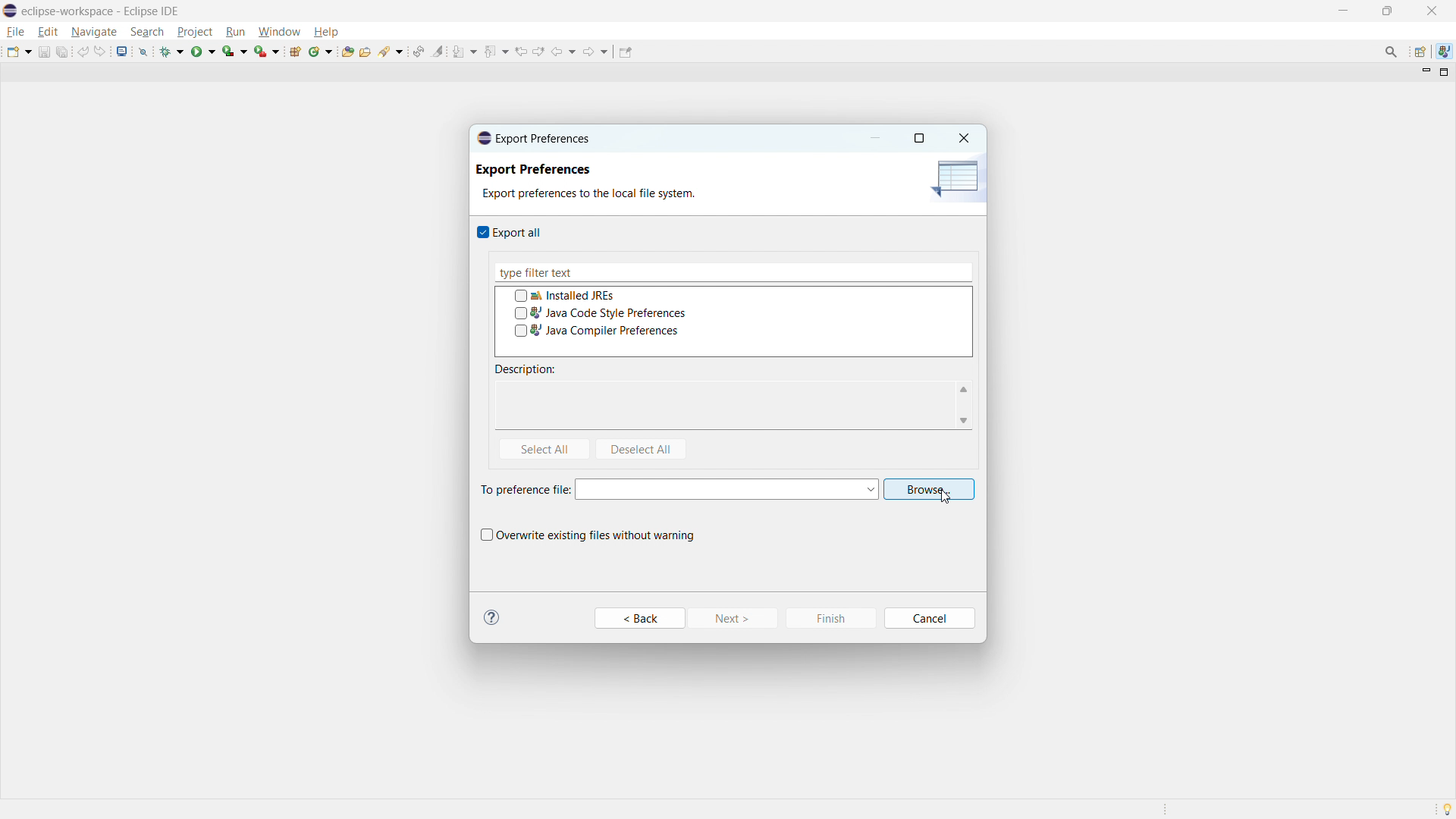 The image size is (1456, 819). What do you see at coordinates (122, 51) in the screenshot?
I see `open console` at bounding box center [122, 51].